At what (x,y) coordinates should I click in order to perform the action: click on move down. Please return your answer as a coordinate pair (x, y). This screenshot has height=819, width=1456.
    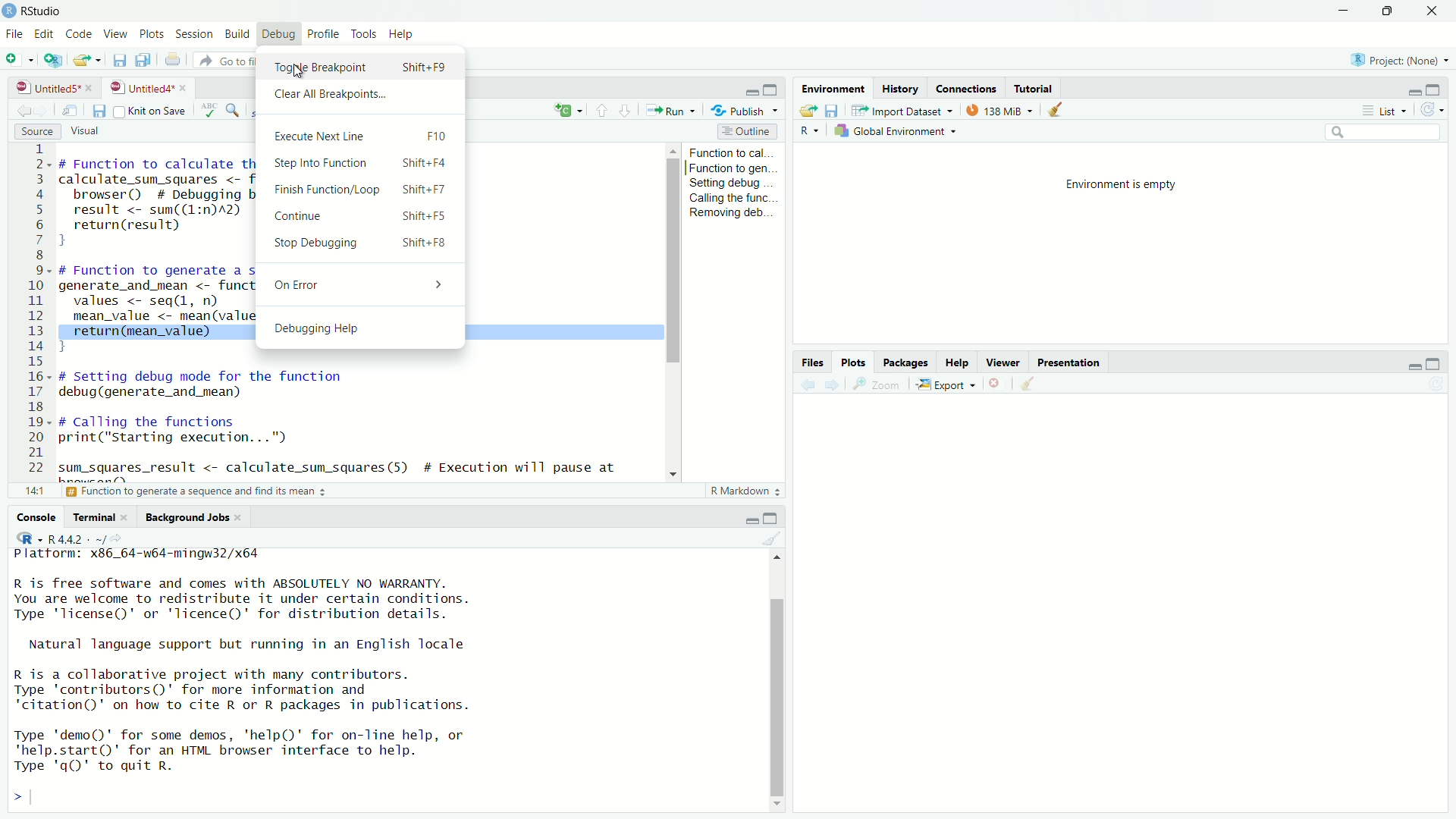
    Looking at the image, I should click on (672, 472).